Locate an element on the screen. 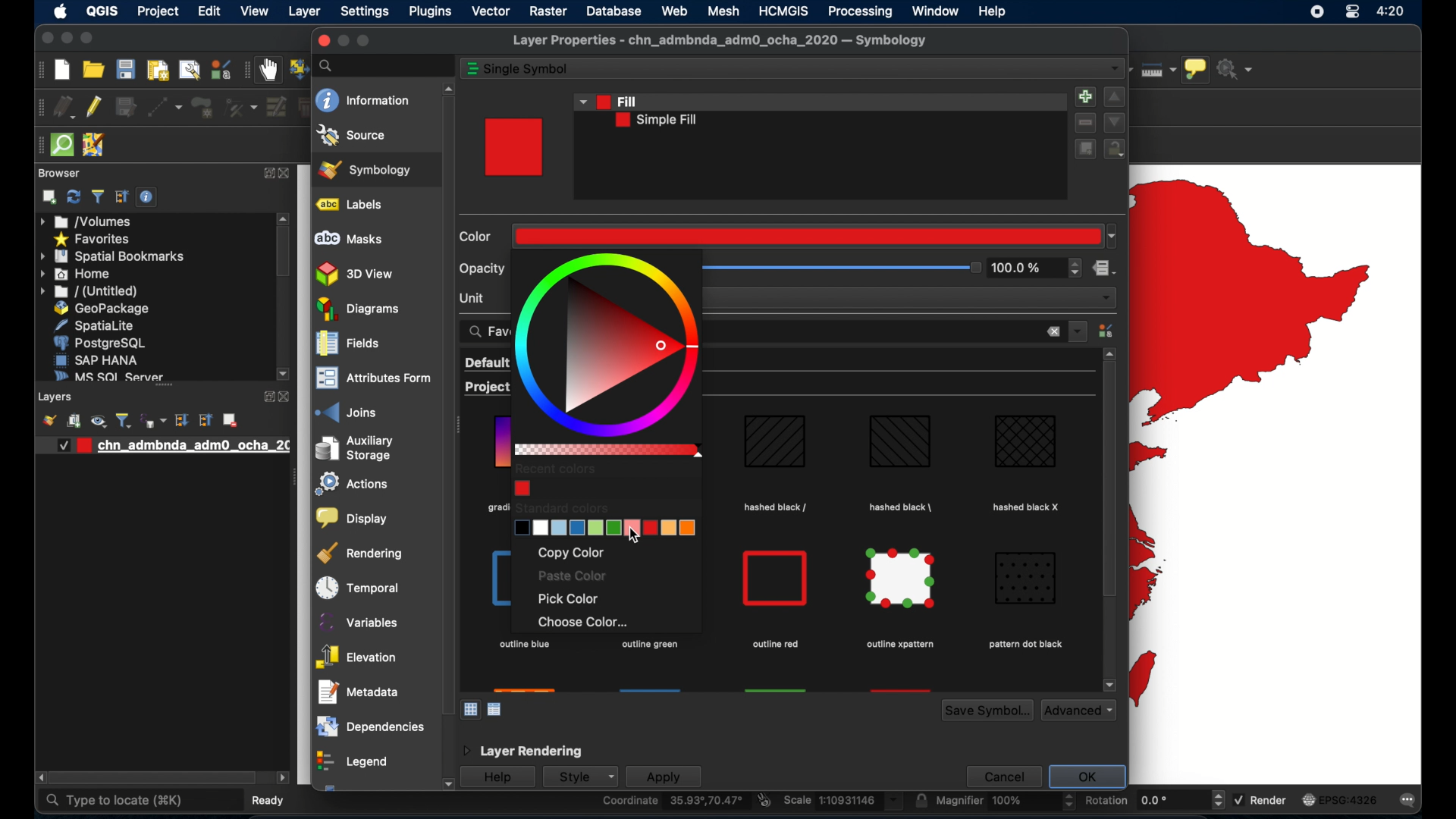  remove symbol color is located at coordinates (1087, 123).